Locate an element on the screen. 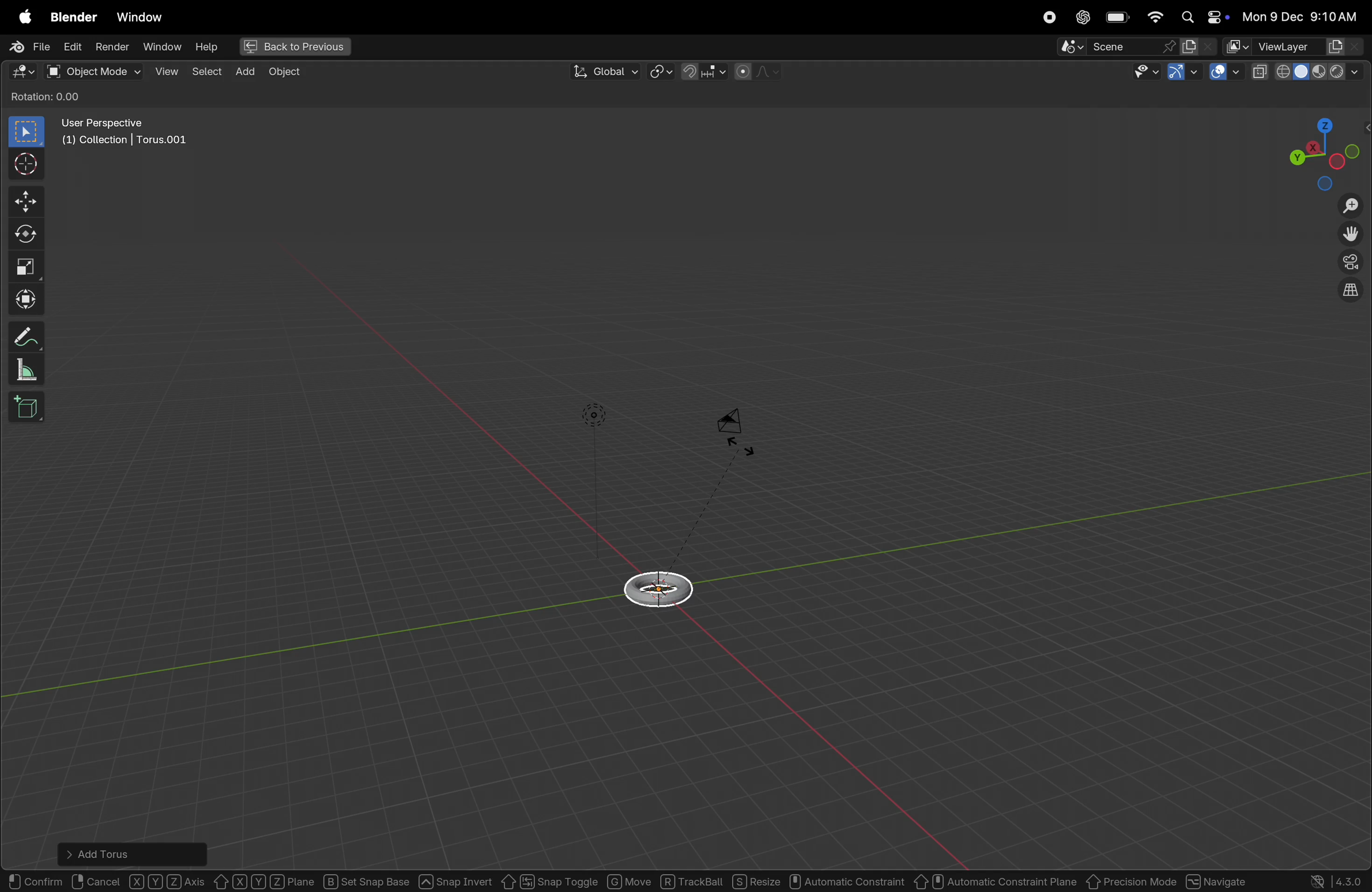 Image resolution: width=1372 pixels, height=892 pixels. active workscpace is located at coordinates (1238, 46).